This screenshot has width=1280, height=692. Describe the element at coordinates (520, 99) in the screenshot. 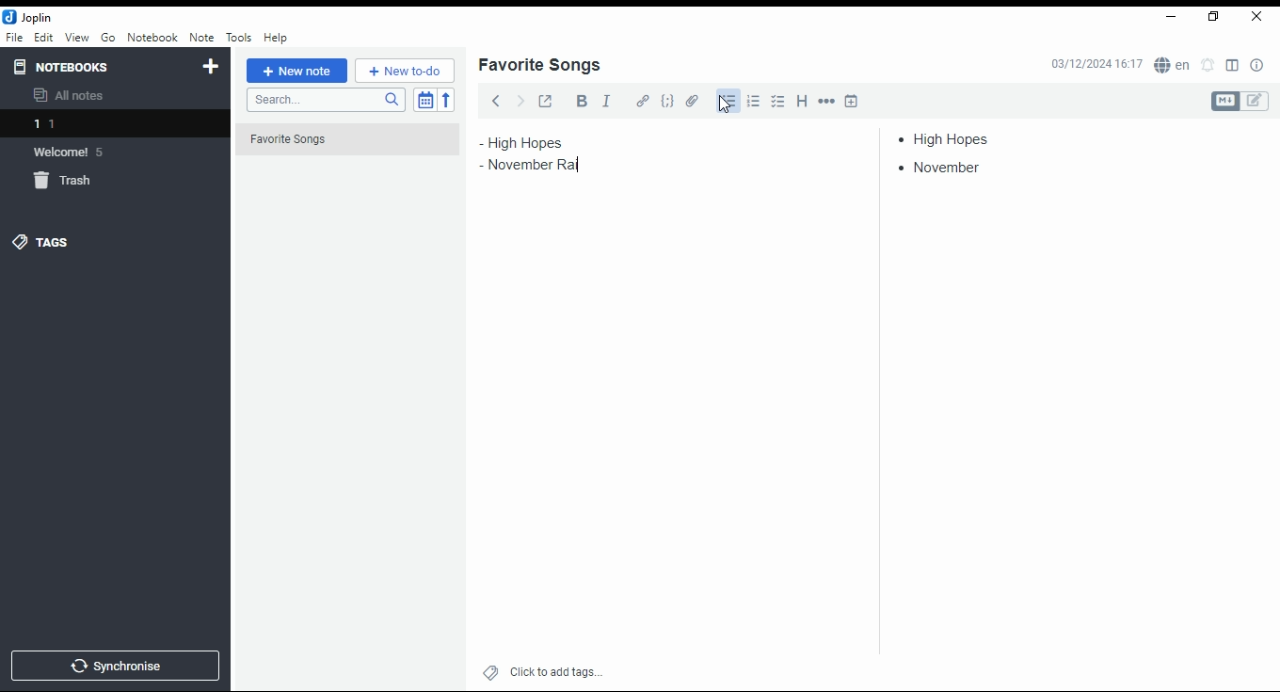

I see `forward` at that location.